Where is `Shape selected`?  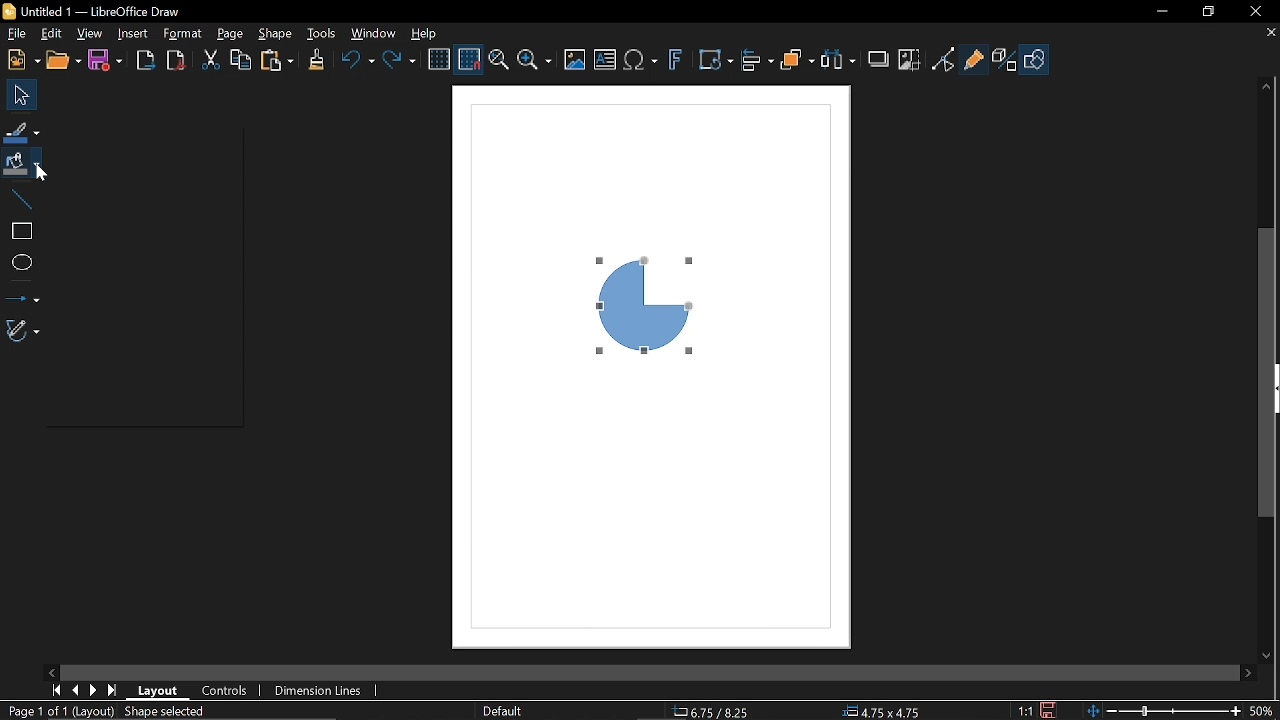
Shape selected is located at coordinates (173, 712).